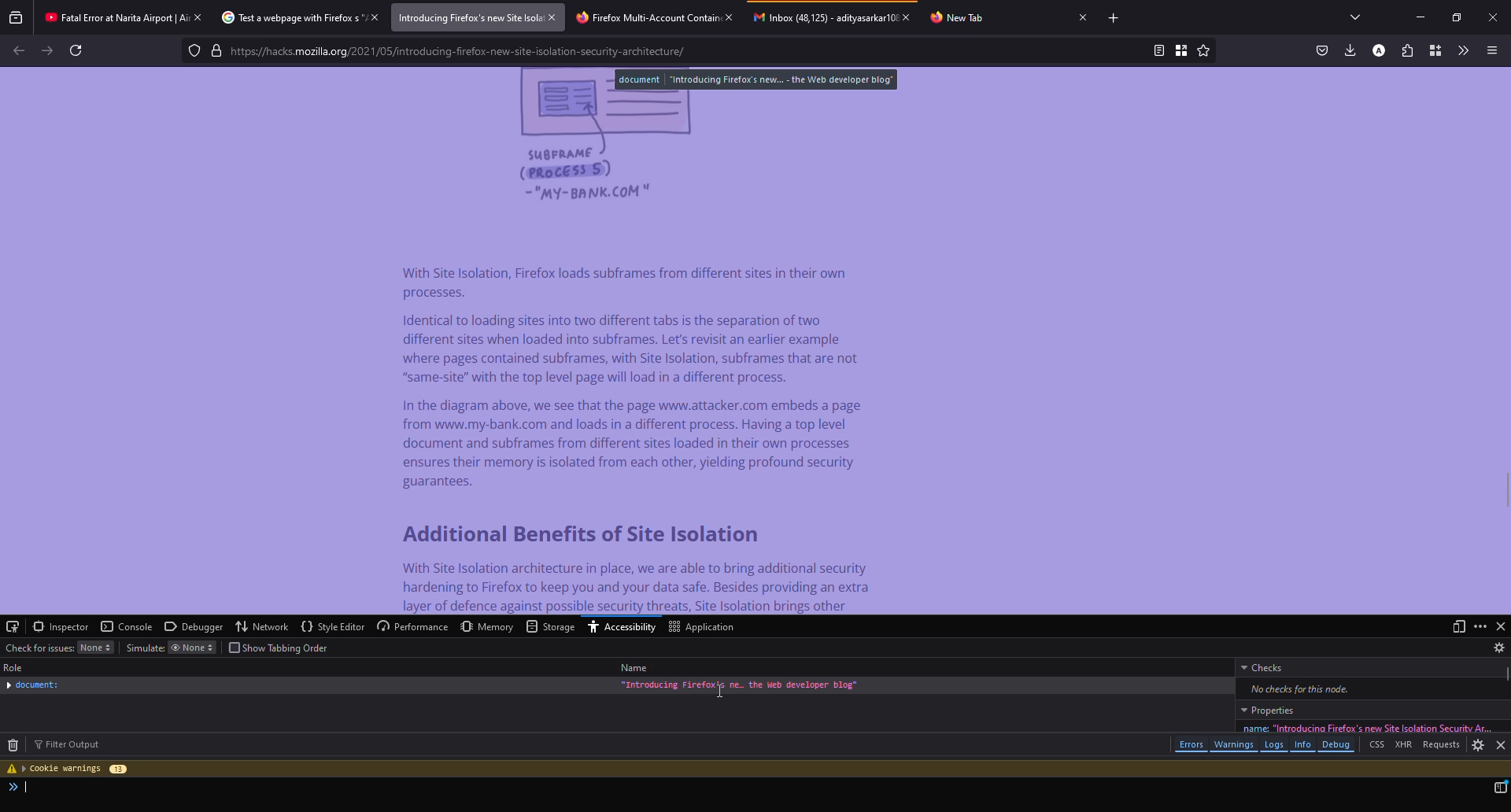 The height and width of the screenshot is (812, 1511). What do you see at coordinates (1299, 688) in the screenshot?
I see `no checks` at bounding box center [1299, 688].